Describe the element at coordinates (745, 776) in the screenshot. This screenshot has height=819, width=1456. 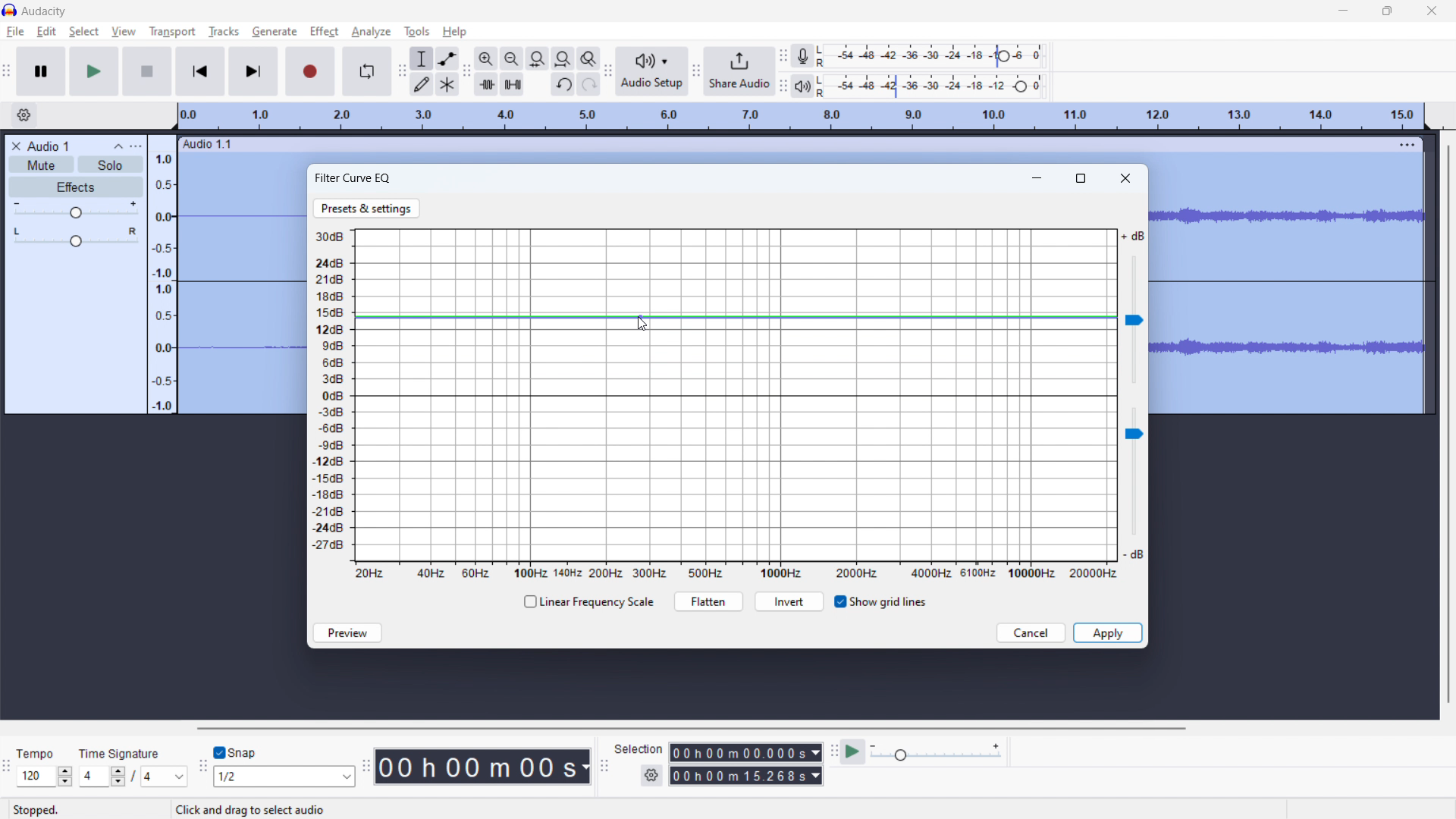
I see `00h00m15.268s(end time)` at that location.